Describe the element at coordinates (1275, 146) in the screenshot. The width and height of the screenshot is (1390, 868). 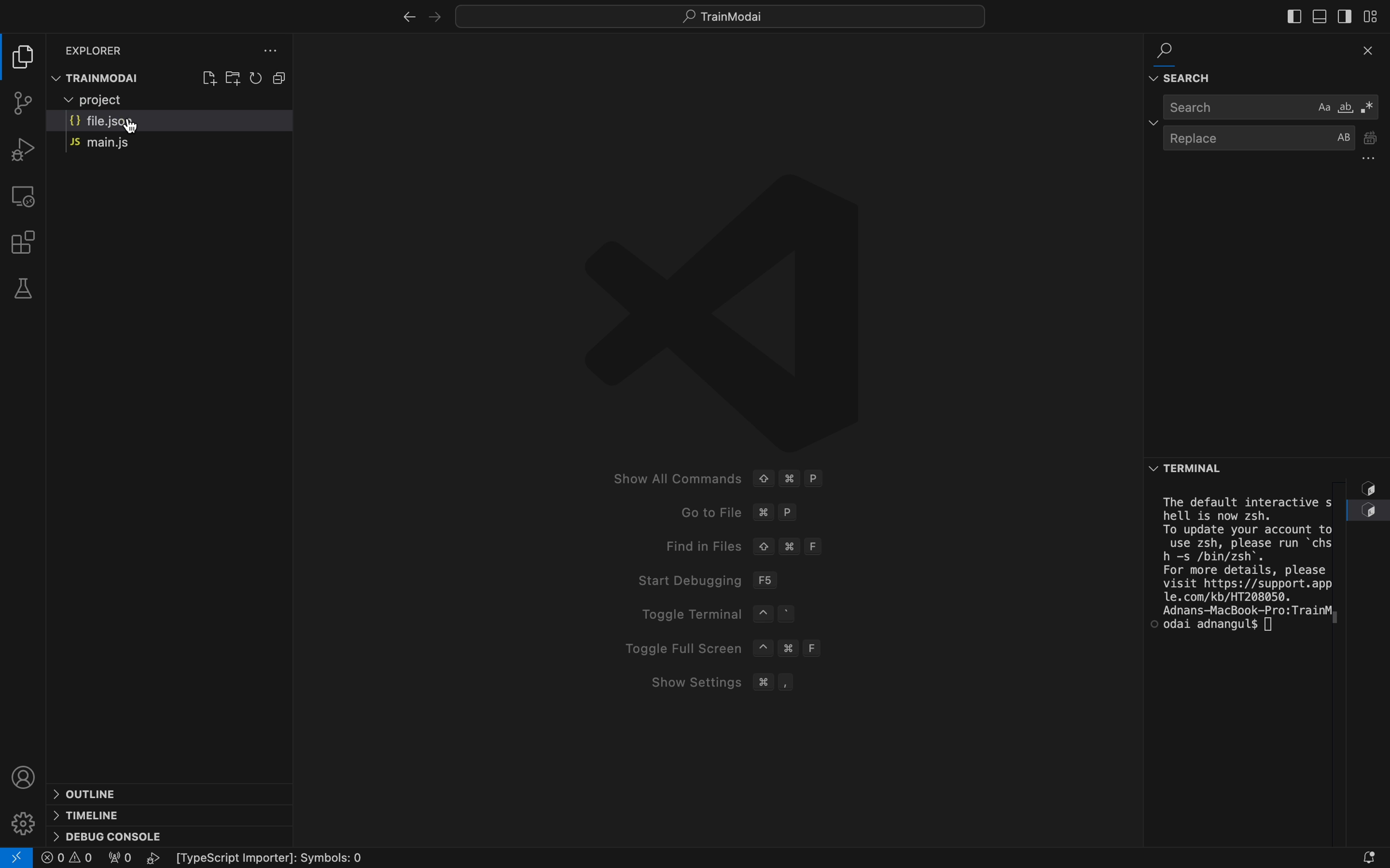
I see `replace` at that location.